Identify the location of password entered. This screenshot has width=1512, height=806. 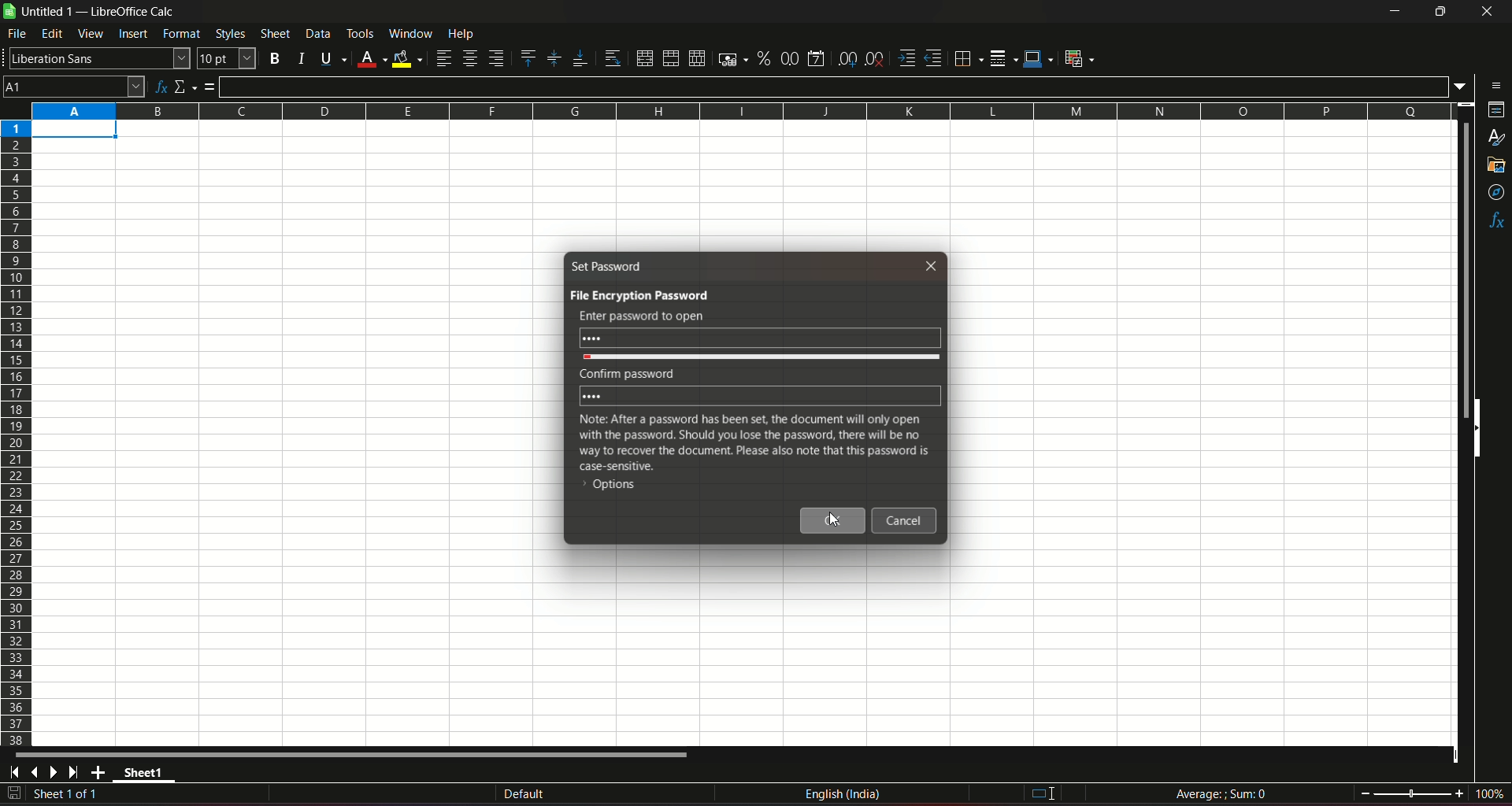
(761, 337).